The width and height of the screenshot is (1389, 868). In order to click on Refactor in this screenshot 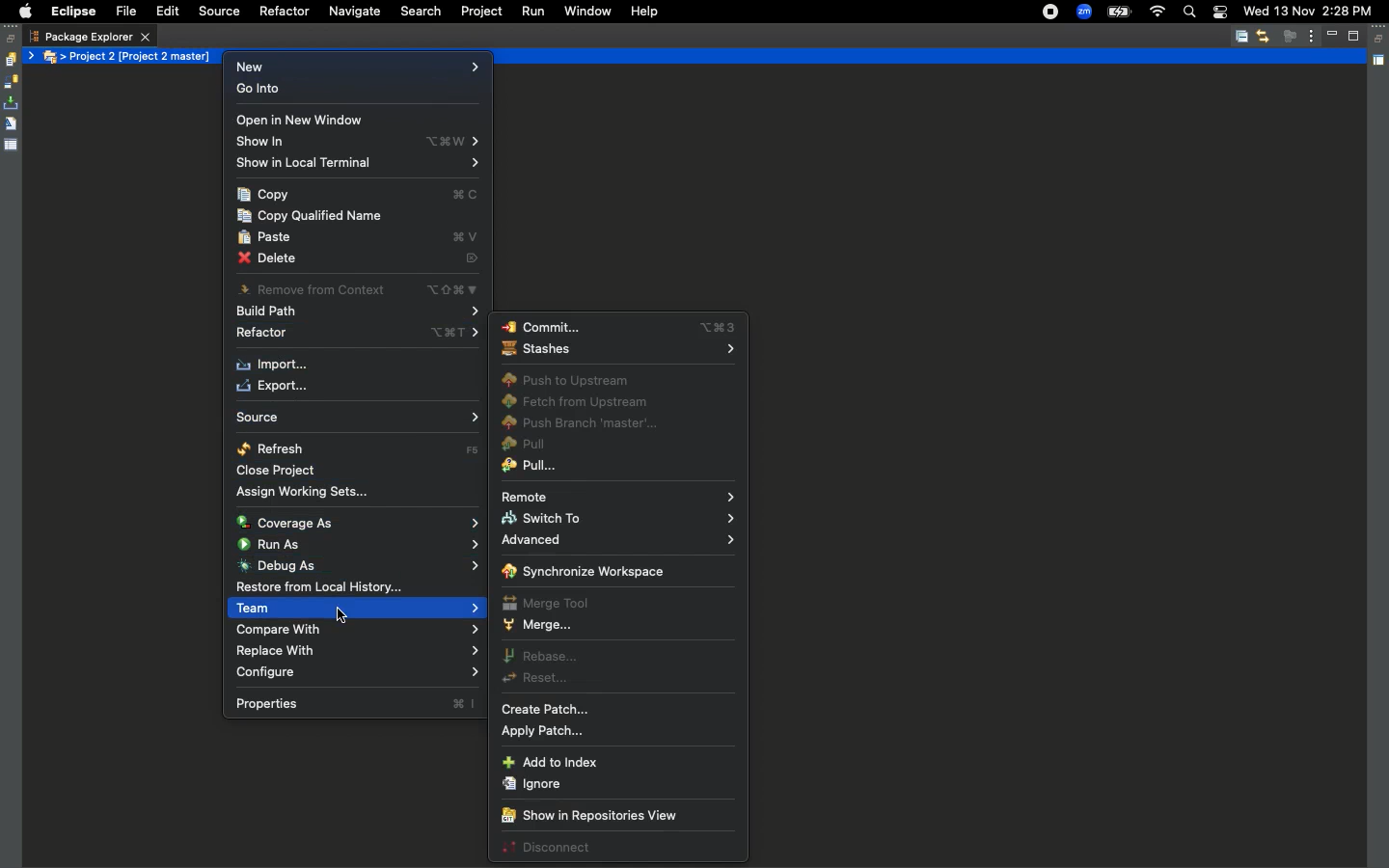, I will do `click(363, 334)`.